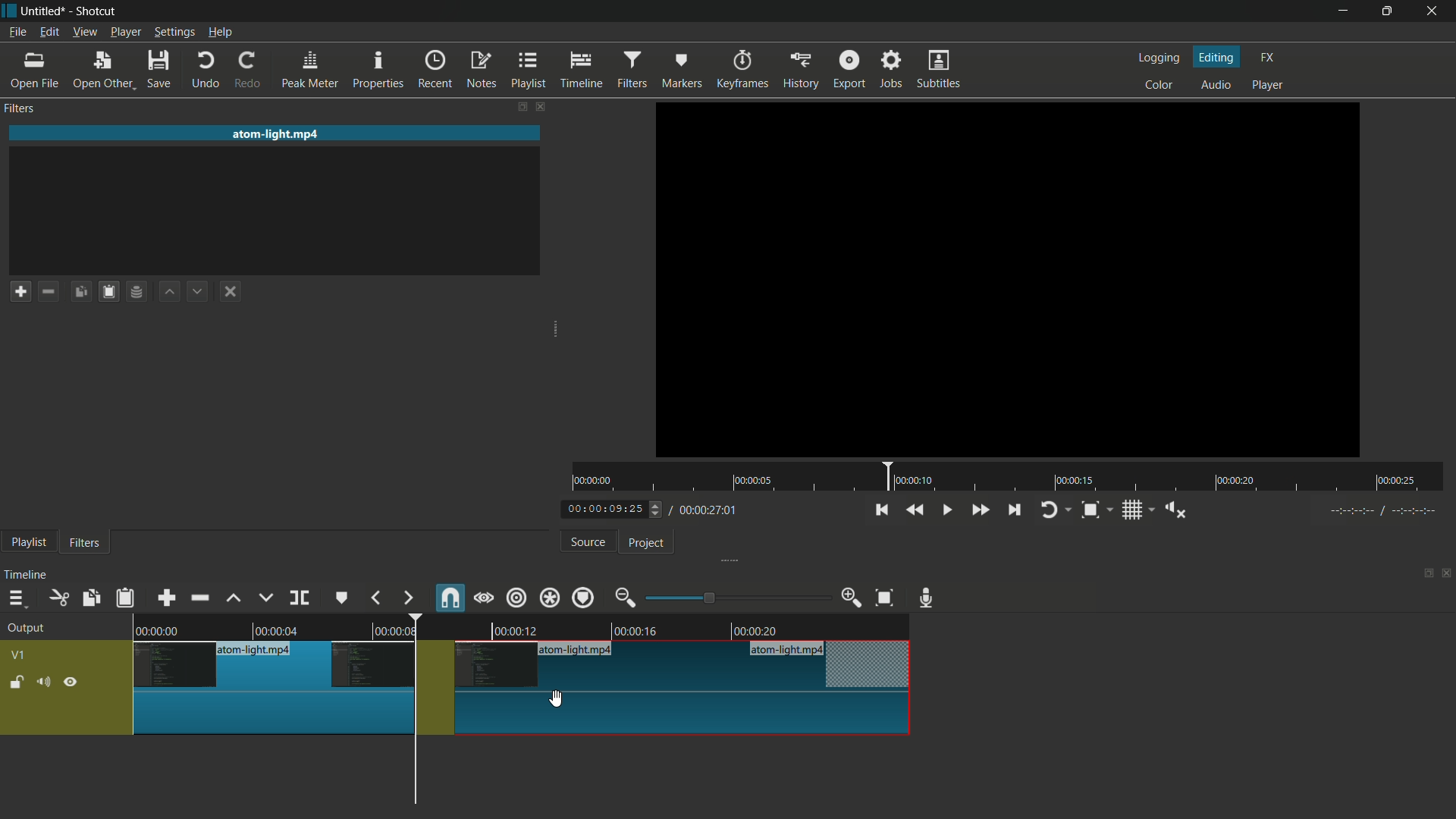 This screenshot has width=1456, height=819. What do you see at coordinates (20, 291) in the screenshot?
I see `add a filter` at bounding box center [20, 291].